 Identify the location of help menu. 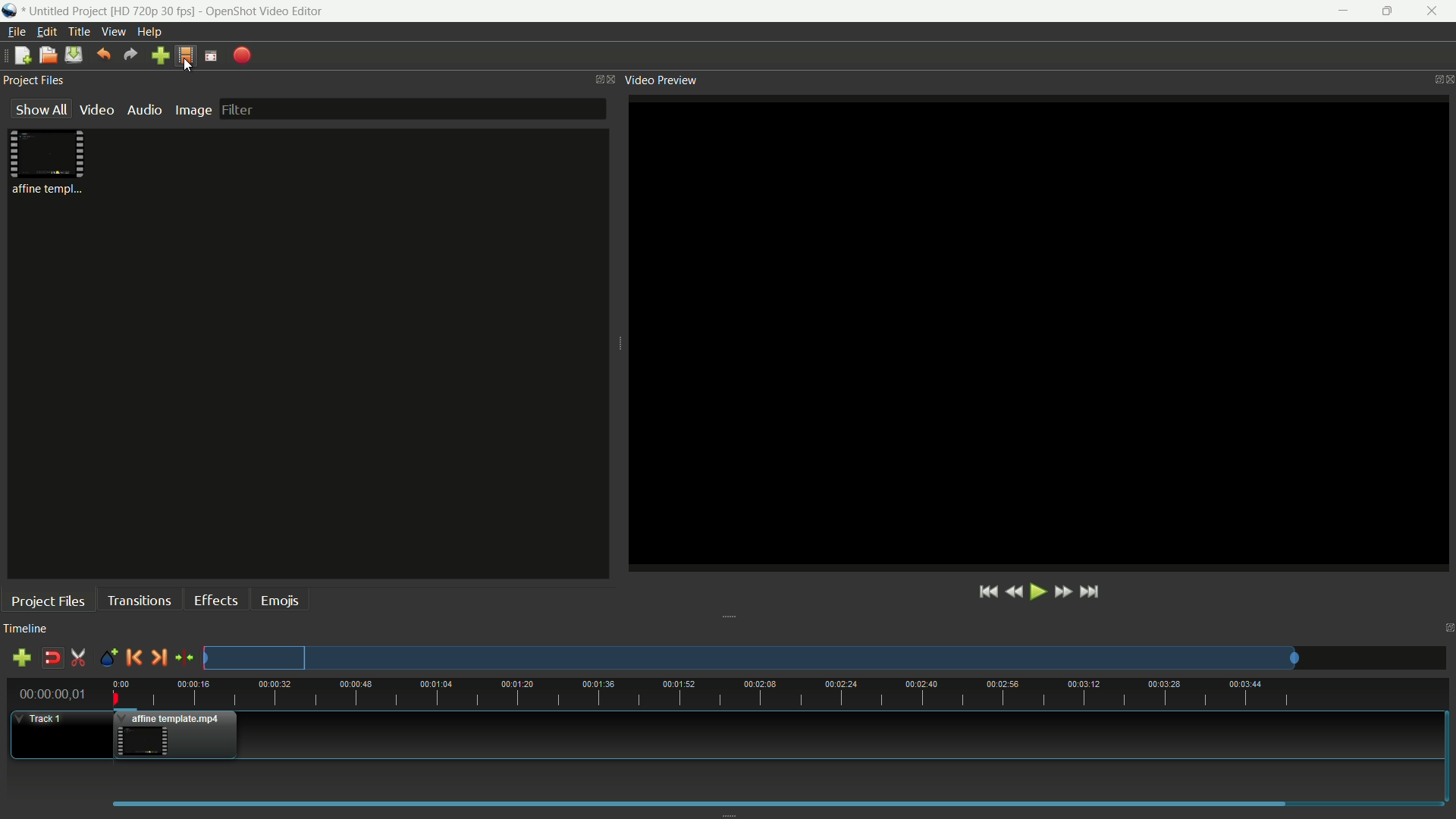
(149, 32).